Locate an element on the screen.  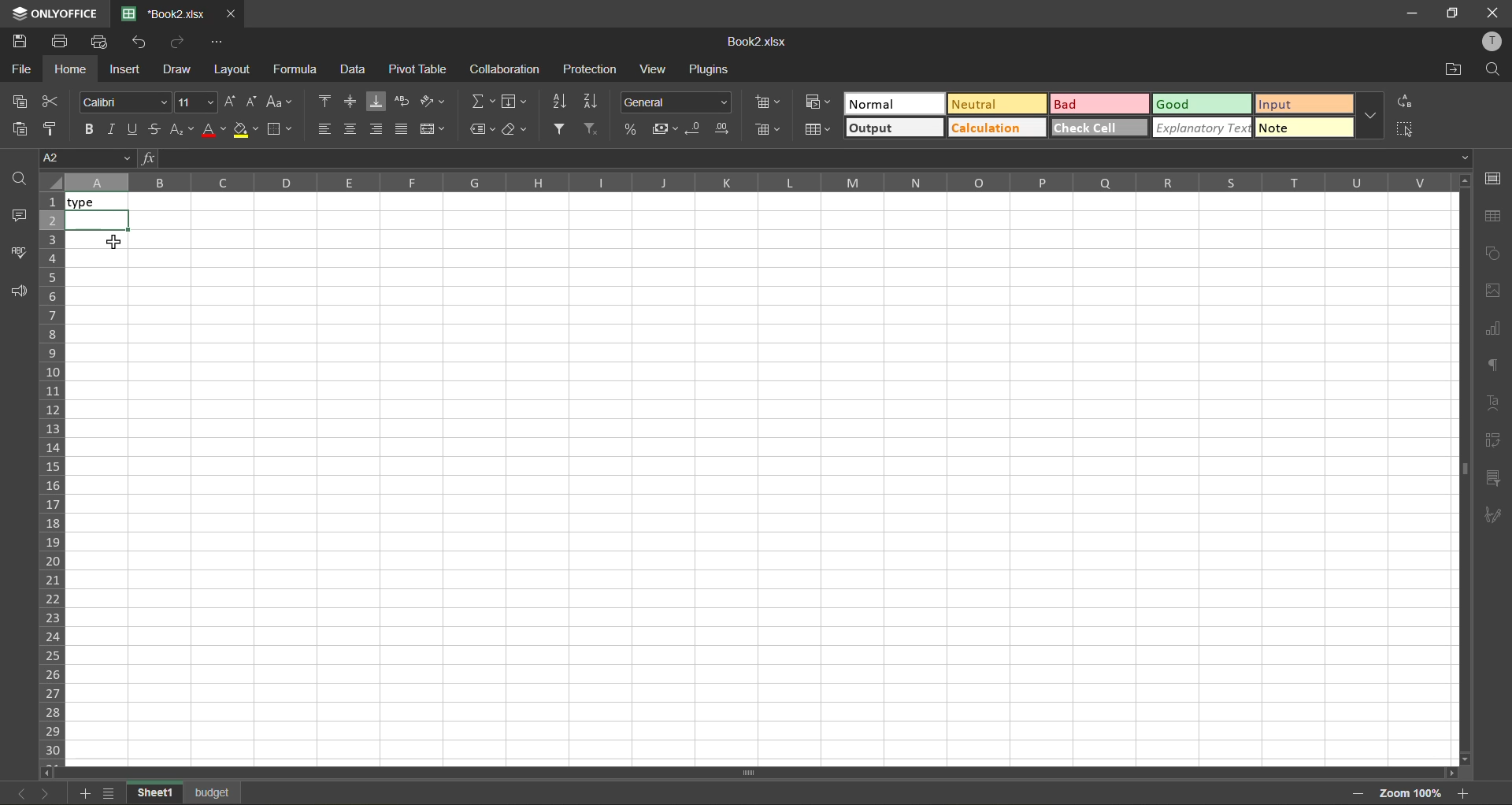
filename is located at coordinates (164, 13).